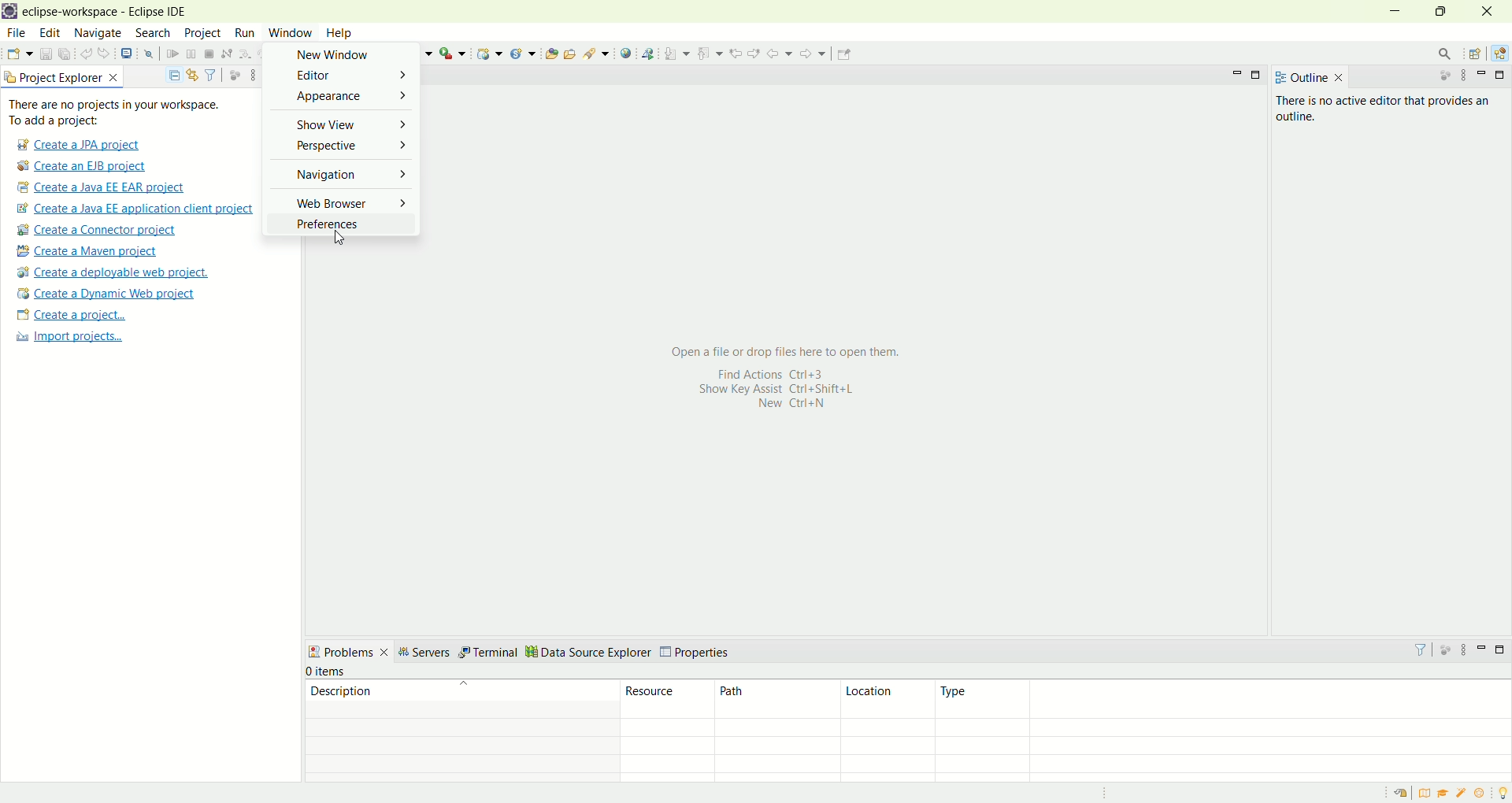 This screenshot has width=1512, height=803. What do you see at coordinates (337, 240) in the screenshot?
I see `cursor` at bounding box center [337, 240].